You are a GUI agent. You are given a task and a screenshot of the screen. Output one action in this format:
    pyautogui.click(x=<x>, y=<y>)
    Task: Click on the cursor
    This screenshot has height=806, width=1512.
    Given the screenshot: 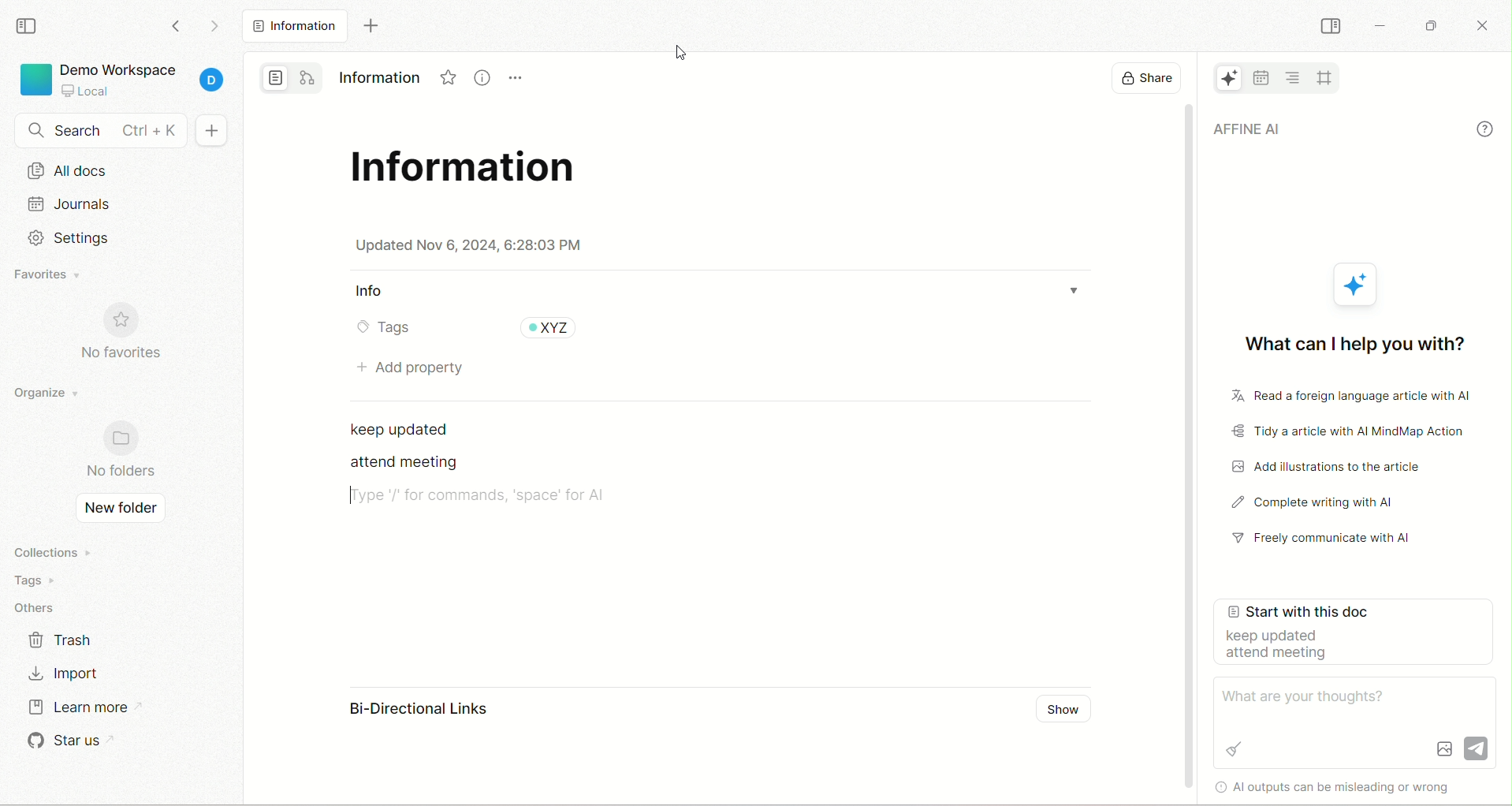 What is the action you would take?
    pyautogui.click(x=682, y=54)
    